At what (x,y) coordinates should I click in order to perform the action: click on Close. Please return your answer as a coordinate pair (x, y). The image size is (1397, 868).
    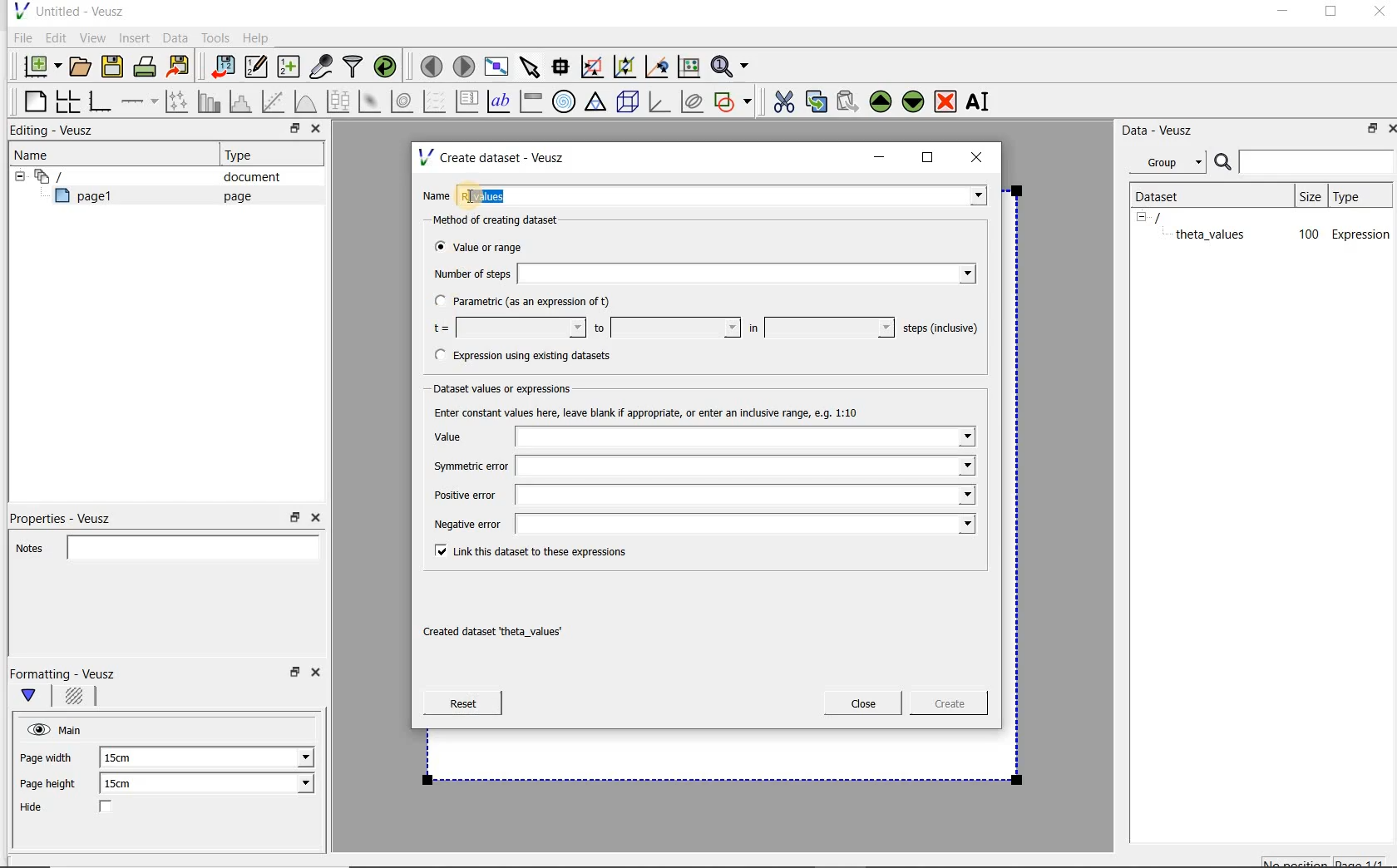
    Looking at the image, I should click on (314, 131).